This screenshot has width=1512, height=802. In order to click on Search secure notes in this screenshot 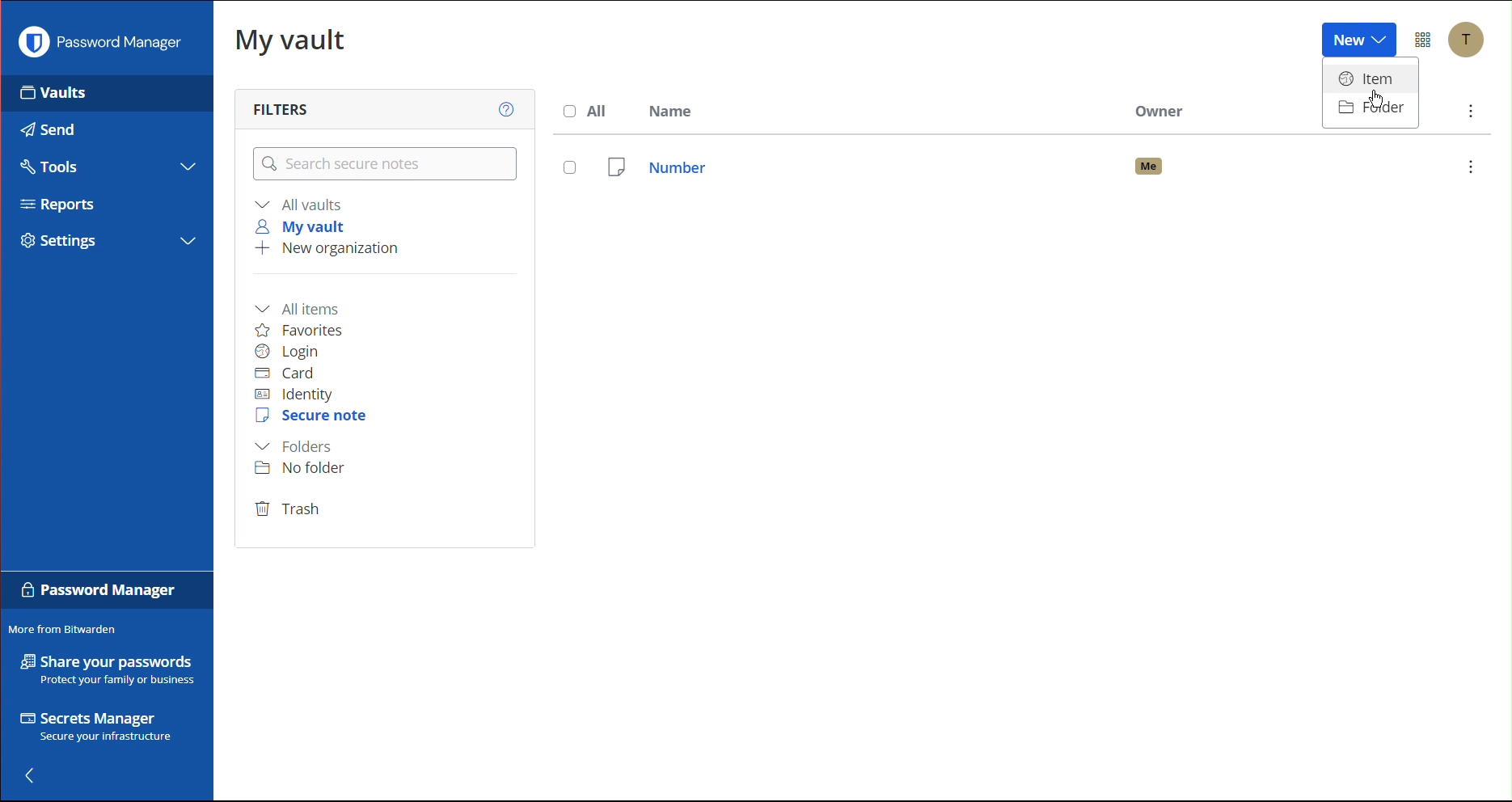, I will do `click(383, 164)`.